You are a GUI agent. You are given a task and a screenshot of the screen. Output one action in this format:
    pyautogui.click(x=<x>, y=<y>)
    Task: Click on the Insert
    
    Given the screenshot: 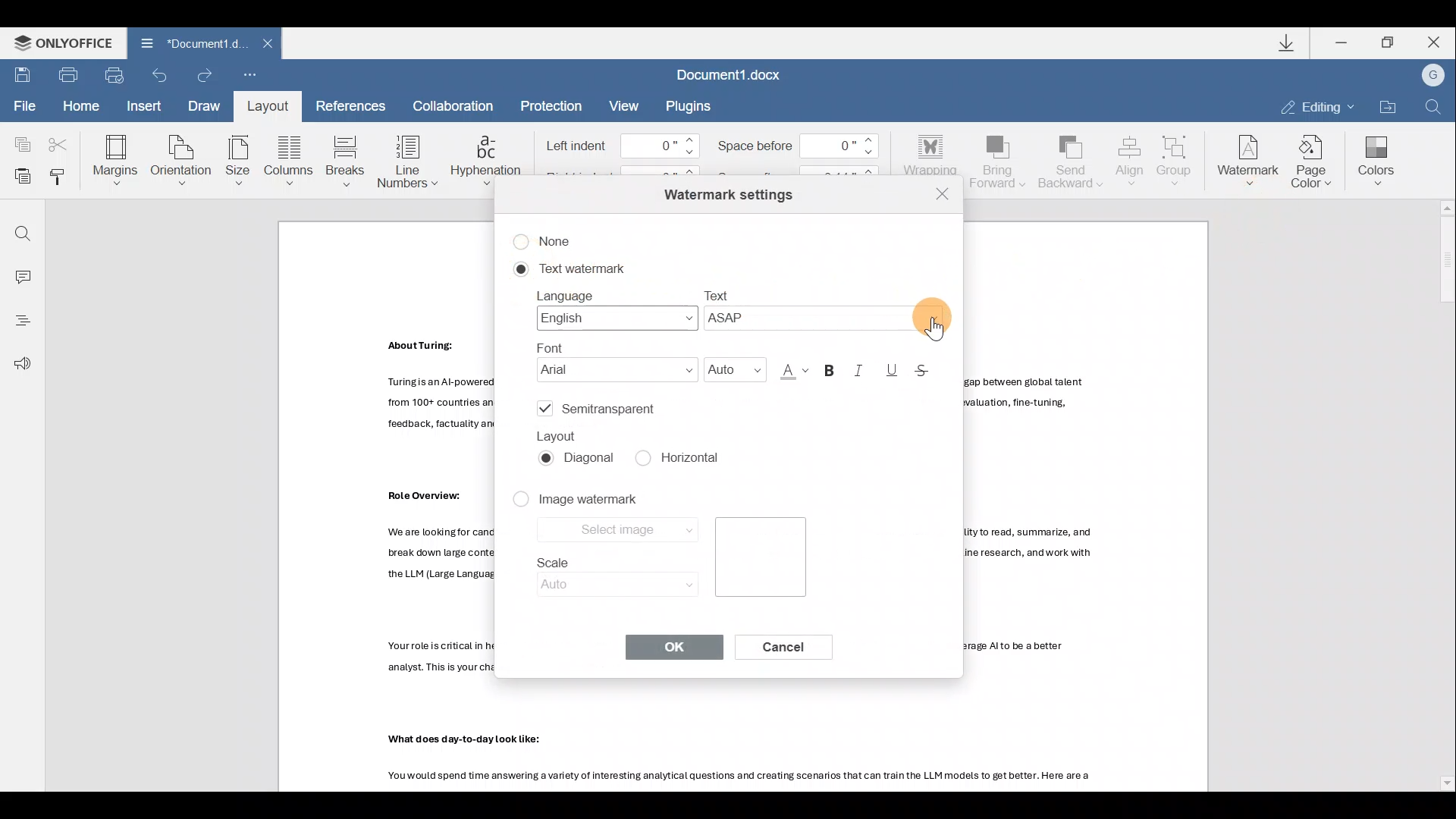 What is the action you would take?
    pyautogui.click(x=146, y=108)
    